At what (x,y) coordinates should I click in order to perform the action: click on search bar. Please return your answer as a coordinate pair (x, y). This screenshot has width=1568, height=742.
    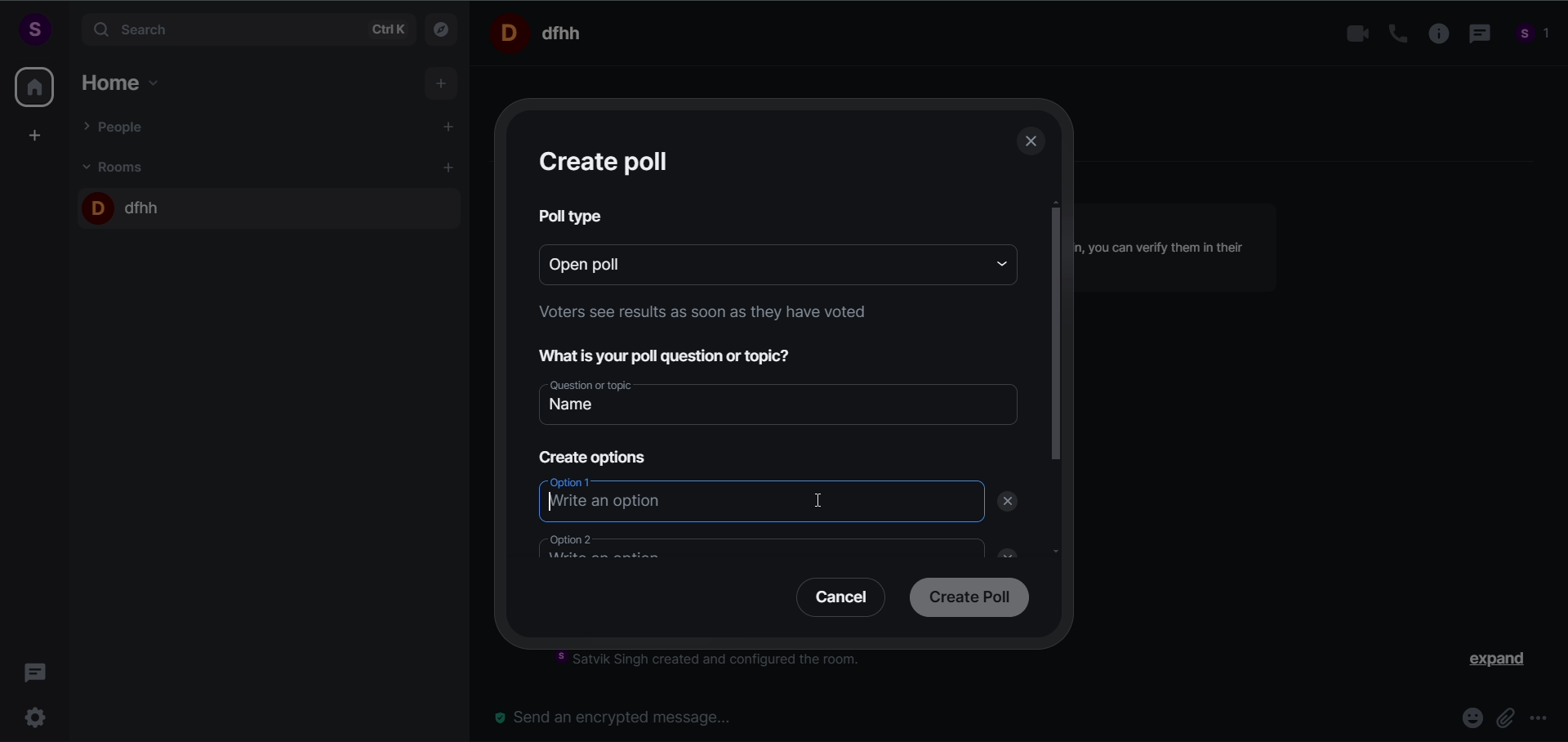
    Looking at the image, I should click on (245, 29).